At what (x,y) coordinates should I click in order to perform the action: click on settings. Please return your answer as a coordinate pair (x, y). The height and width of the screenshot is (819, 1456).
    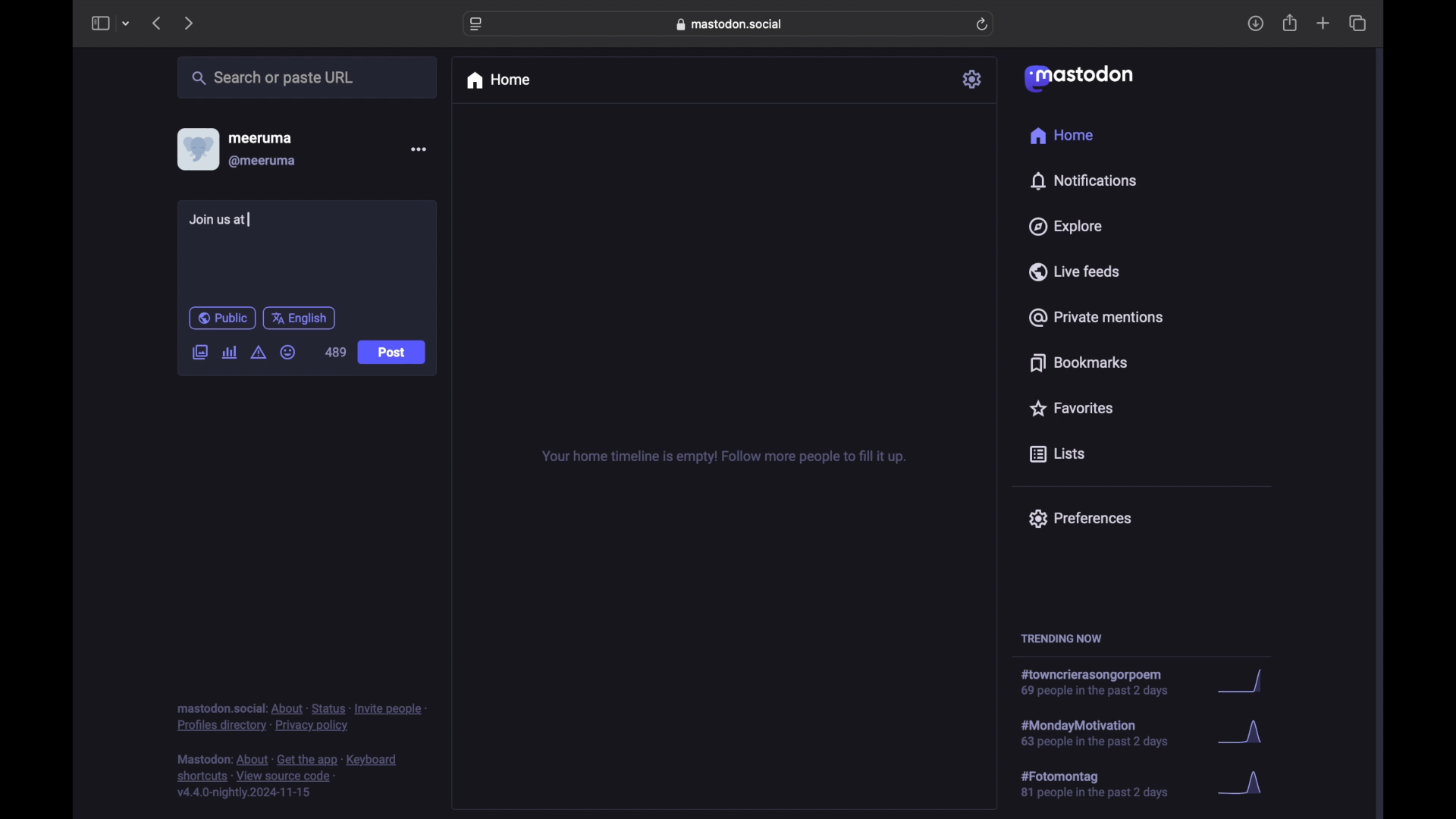
    Looking at the image, I should click on (974, 79).